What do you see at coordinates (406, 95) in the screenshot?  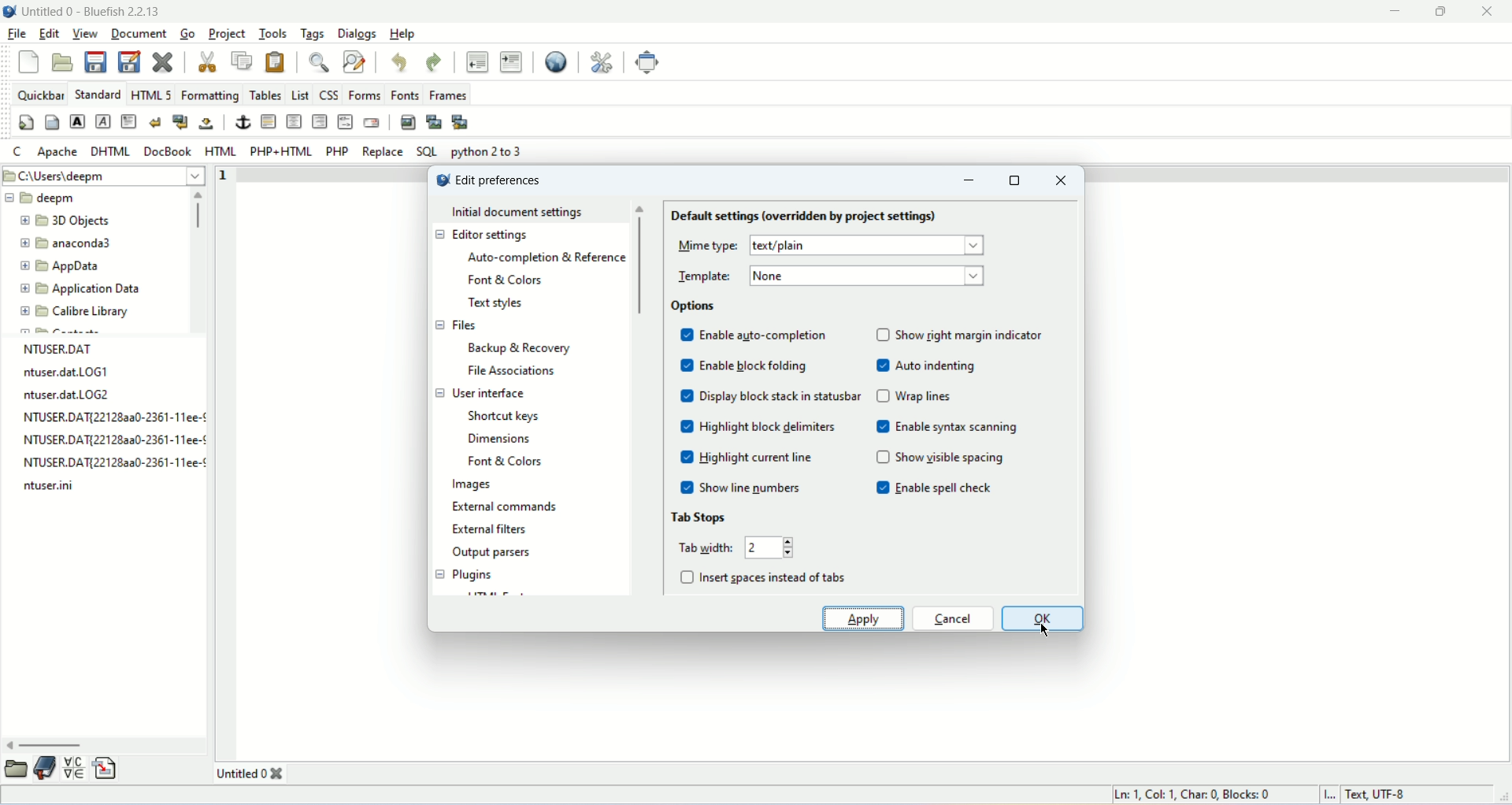 I see `fonts` at bounding box center [406, 95].